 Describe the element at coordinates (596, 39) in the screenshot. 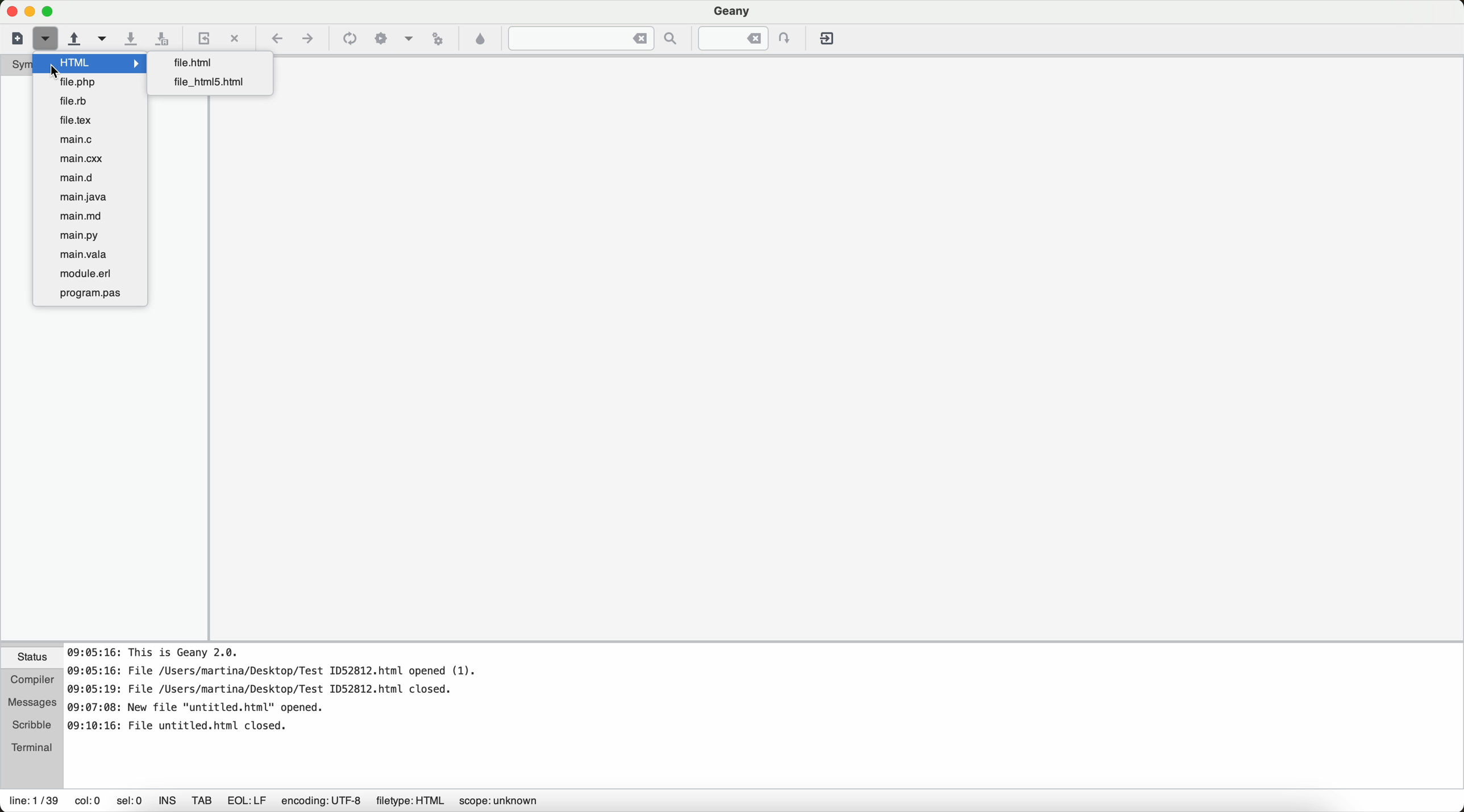

I see `jump to the entered text in the current file` at that location.